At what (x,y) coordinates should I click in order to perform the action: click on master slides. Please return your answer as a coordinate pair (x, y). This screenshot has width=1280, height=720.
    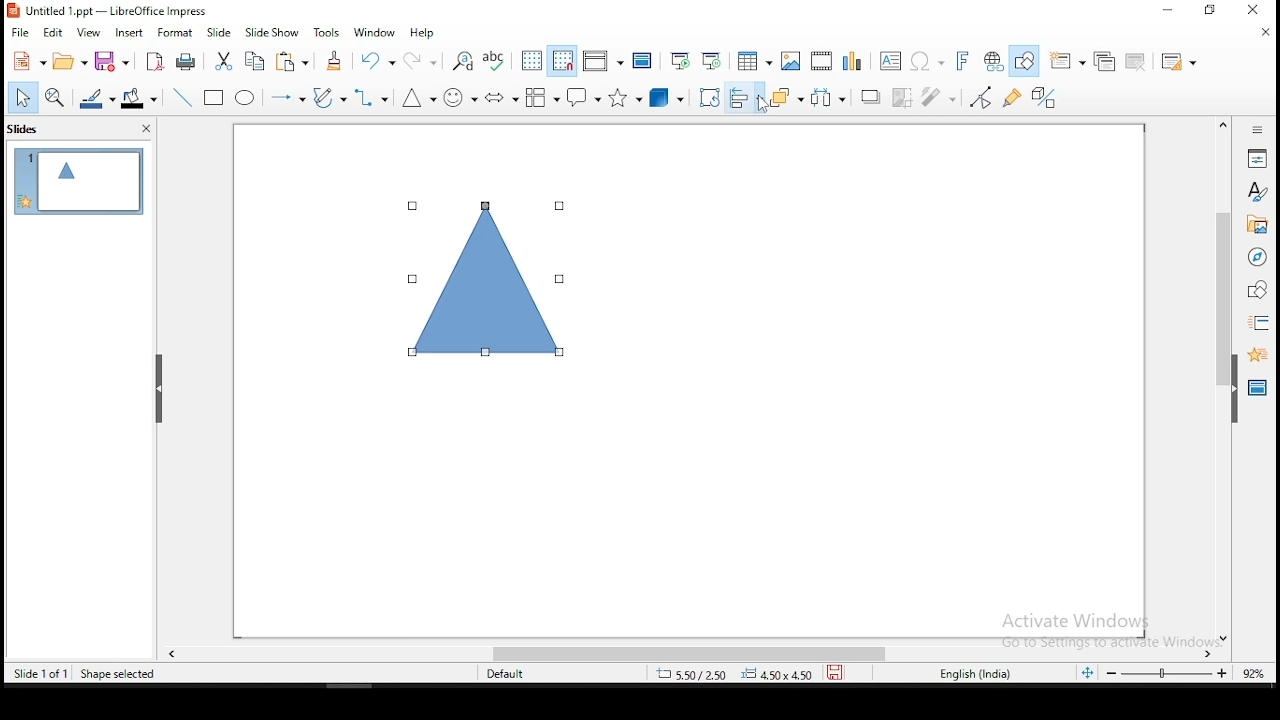
    Looking at the image, I should click on (1255, 391).